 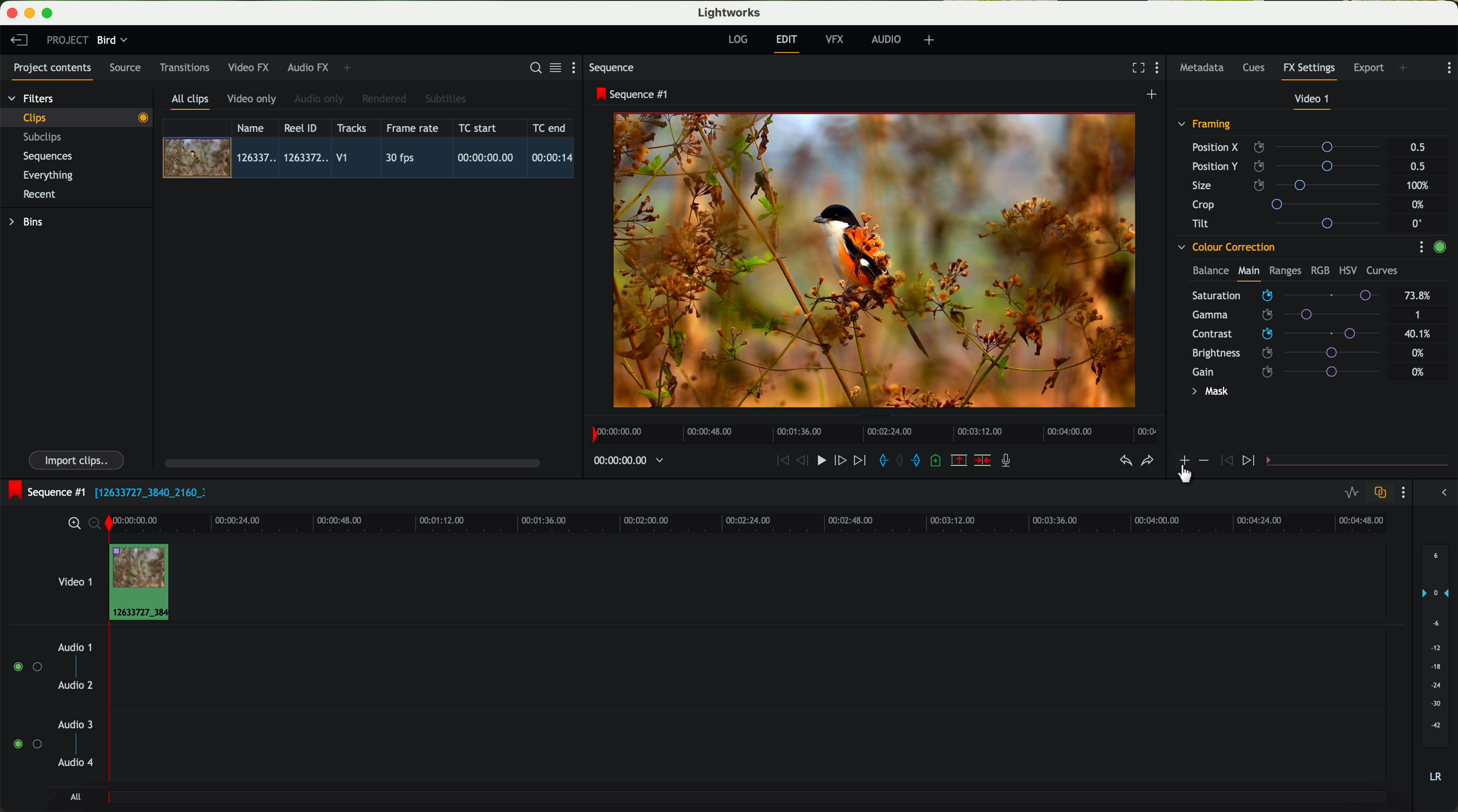 I want to click on minimize program, so click(x=32, y=14).